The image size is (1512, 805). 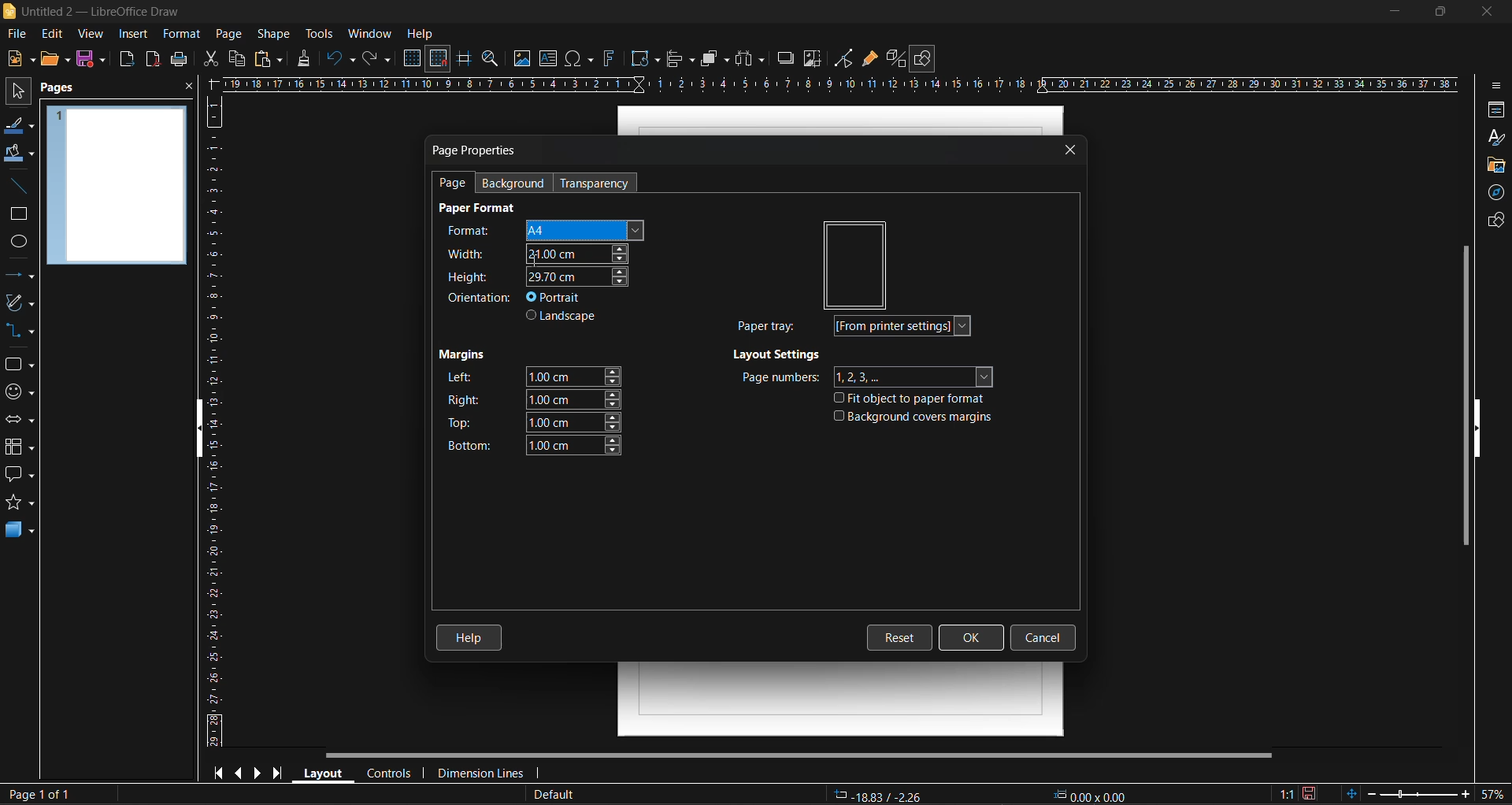 I want to click on properties, so click(x=1495, y=109).